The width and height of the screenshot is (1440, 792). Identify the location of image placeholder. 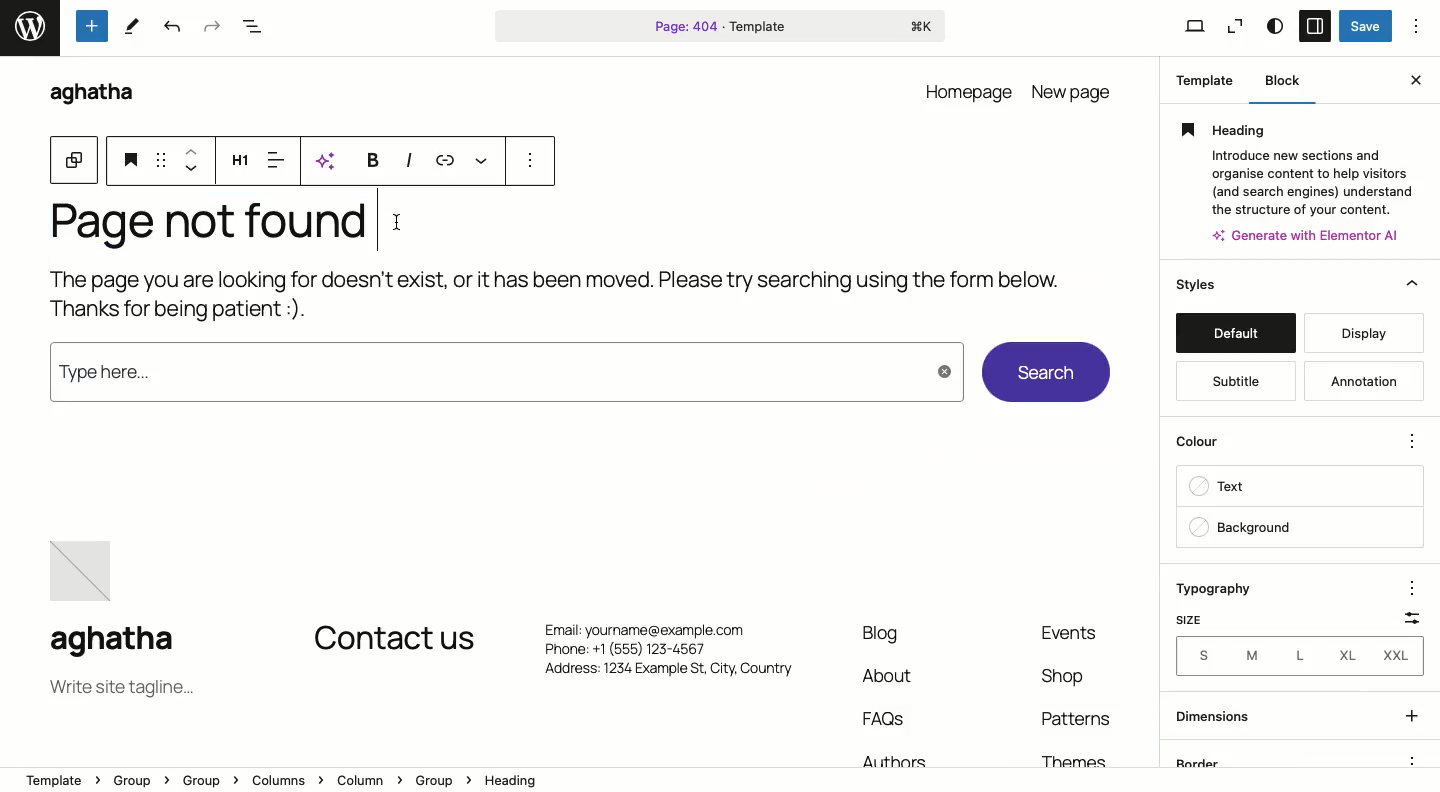
(86, 573).